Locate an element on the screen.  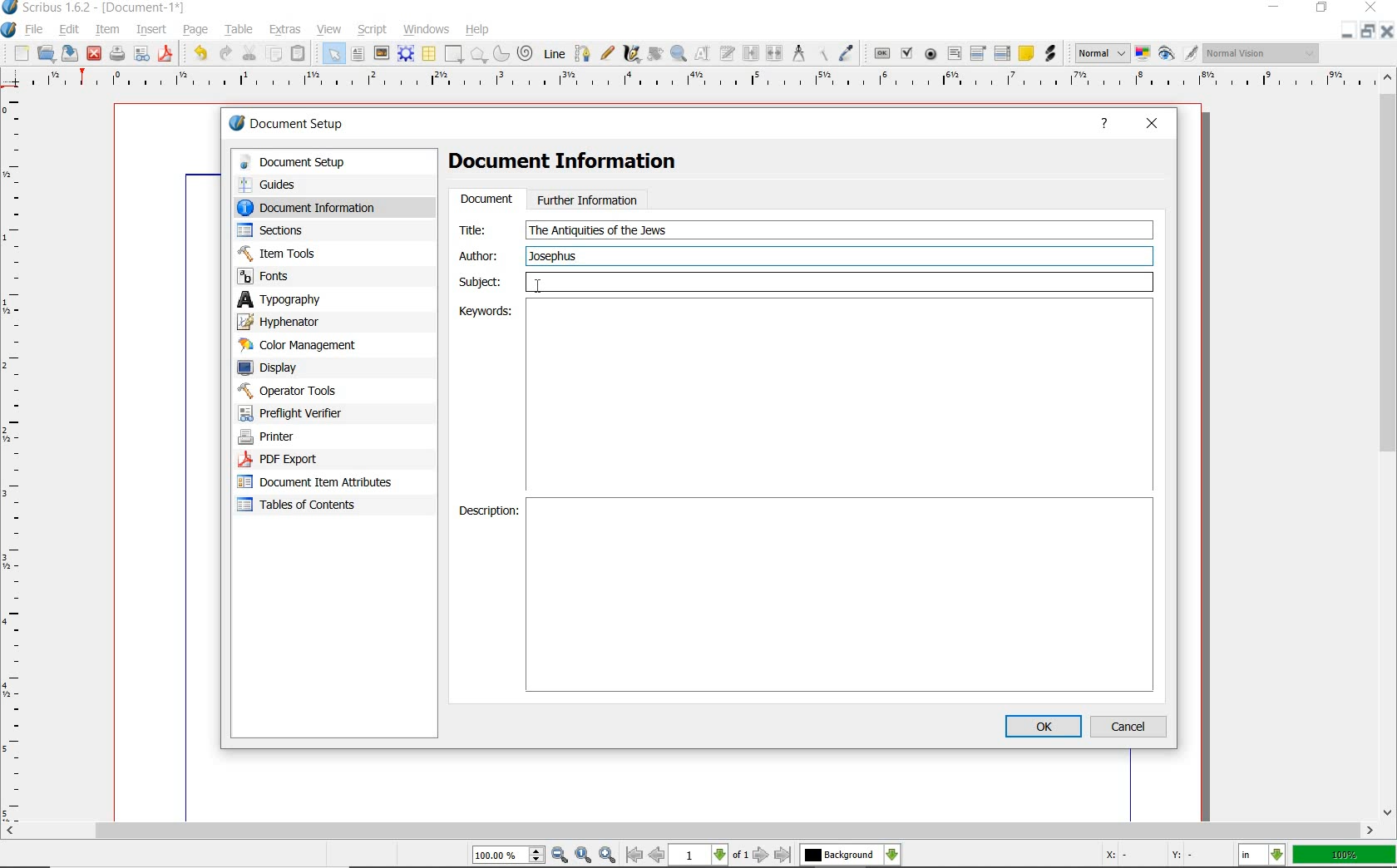
paste is located at coordinates (301, 52).